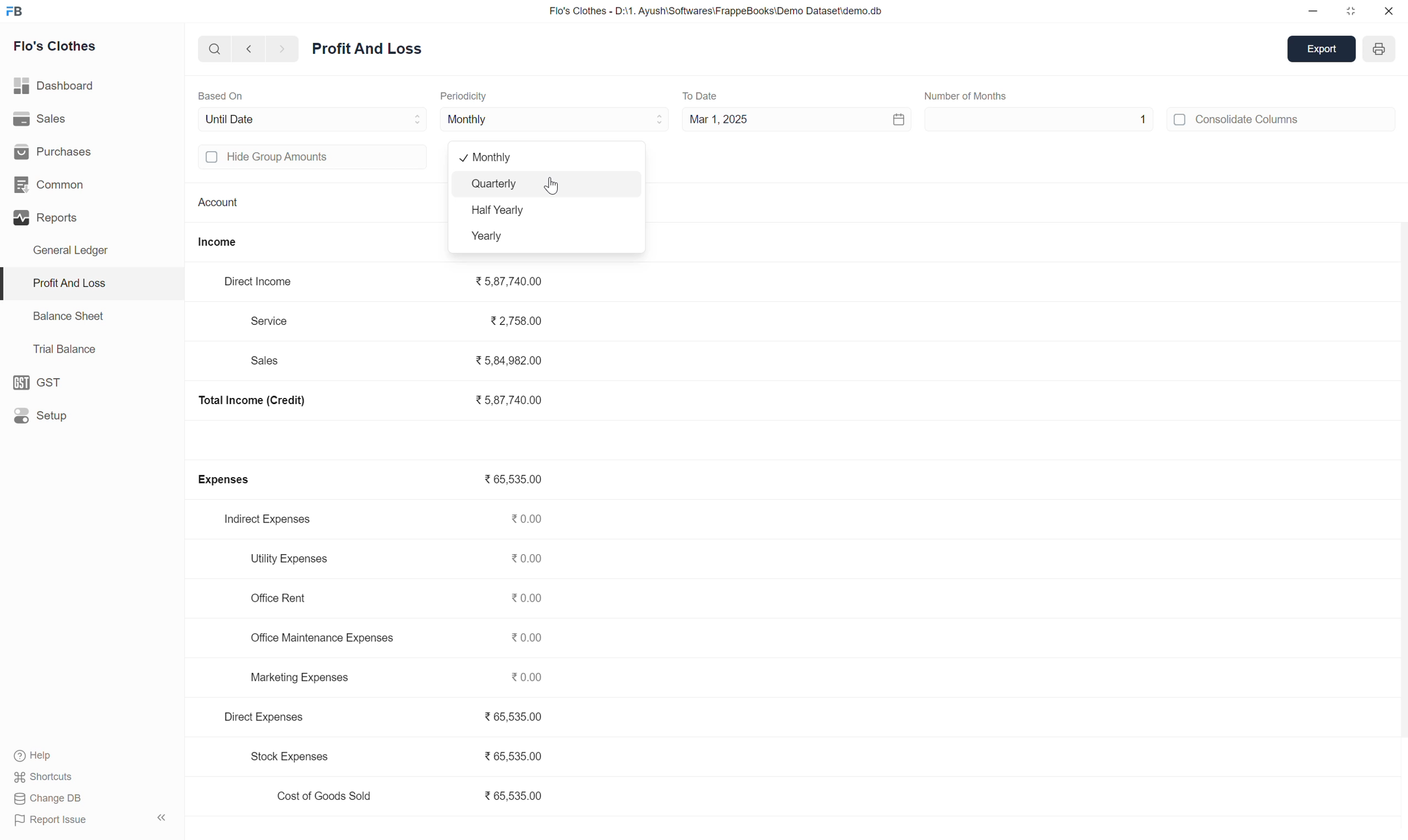  What do you see at coordinates (49, 778) in the screenshot?
I see `Shortcuts` at bounding box center [49, 778].